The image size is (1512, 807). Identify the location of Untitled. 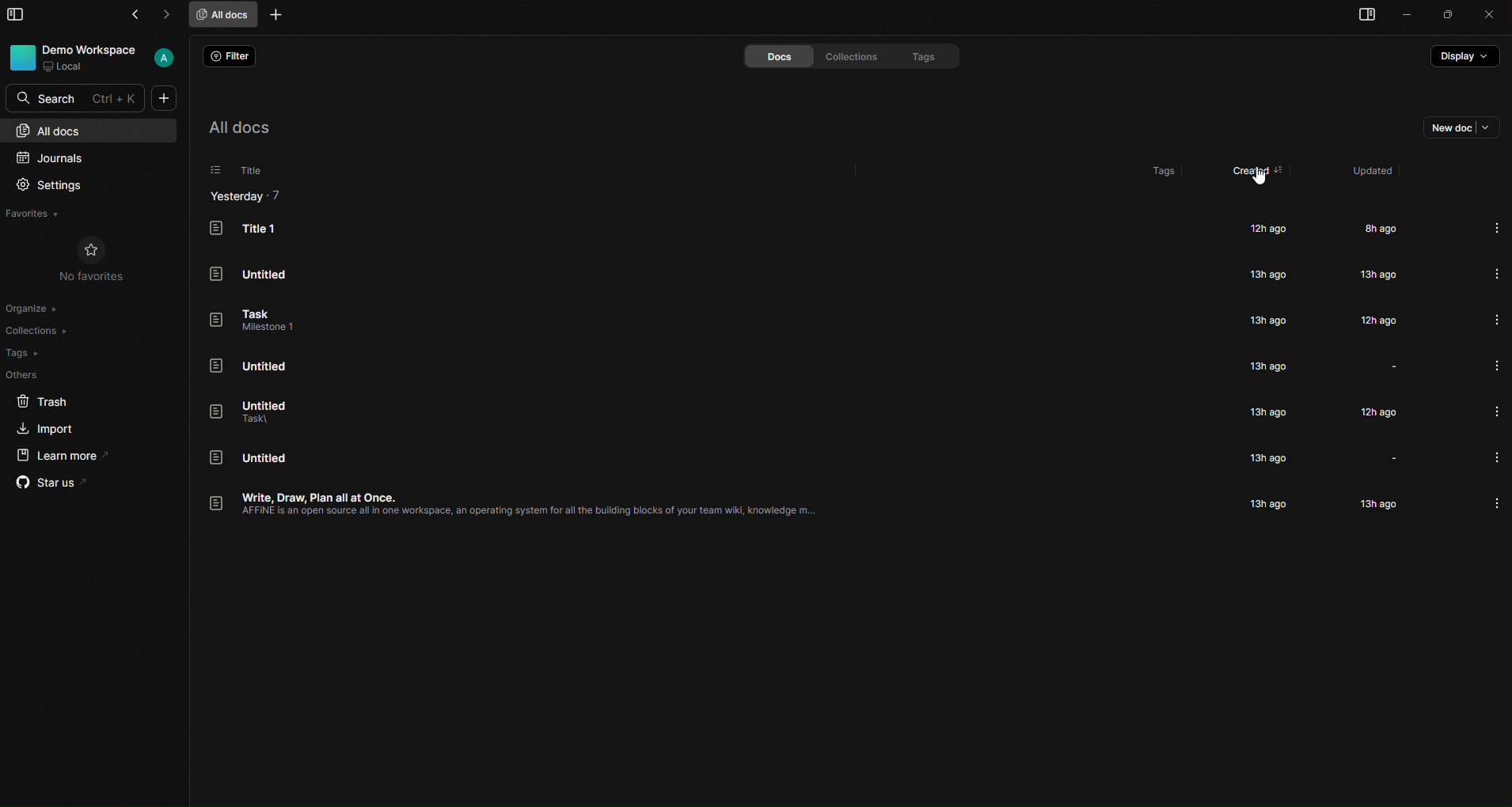
(248, 457).